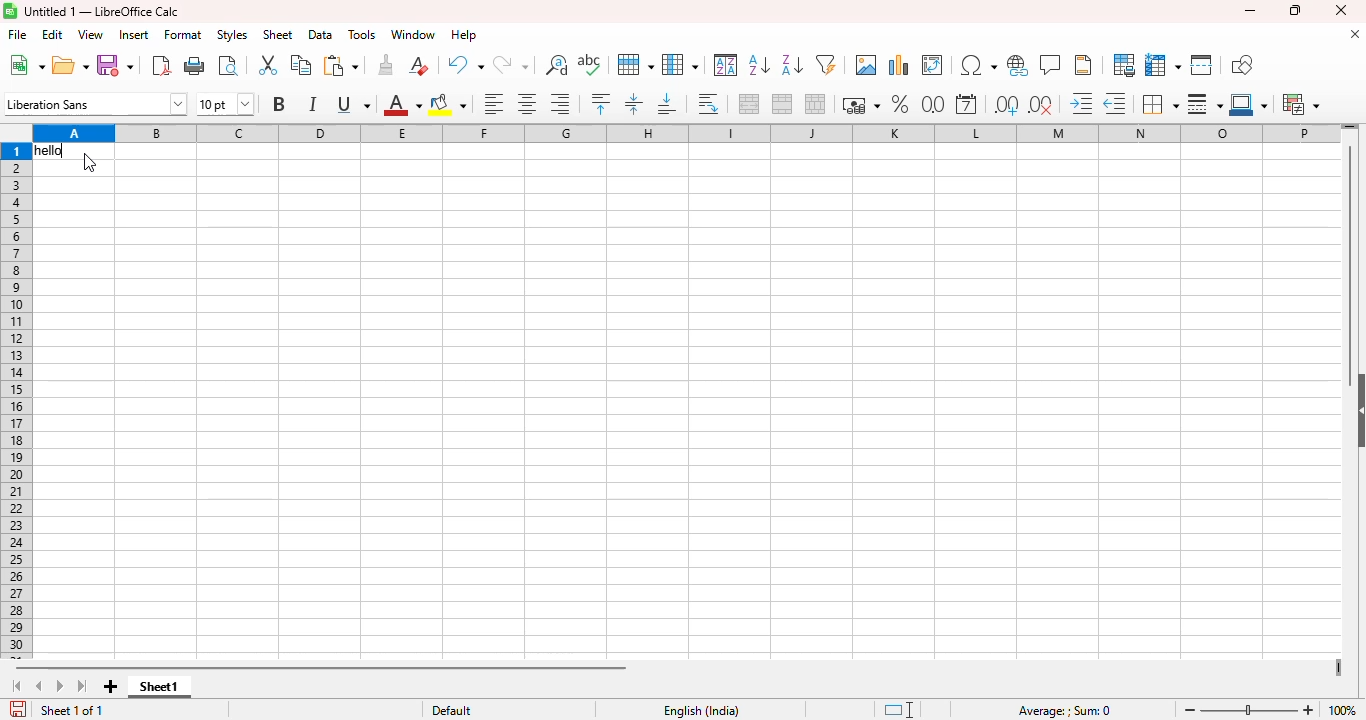  I want to click on align bottom, so click(668, 103).